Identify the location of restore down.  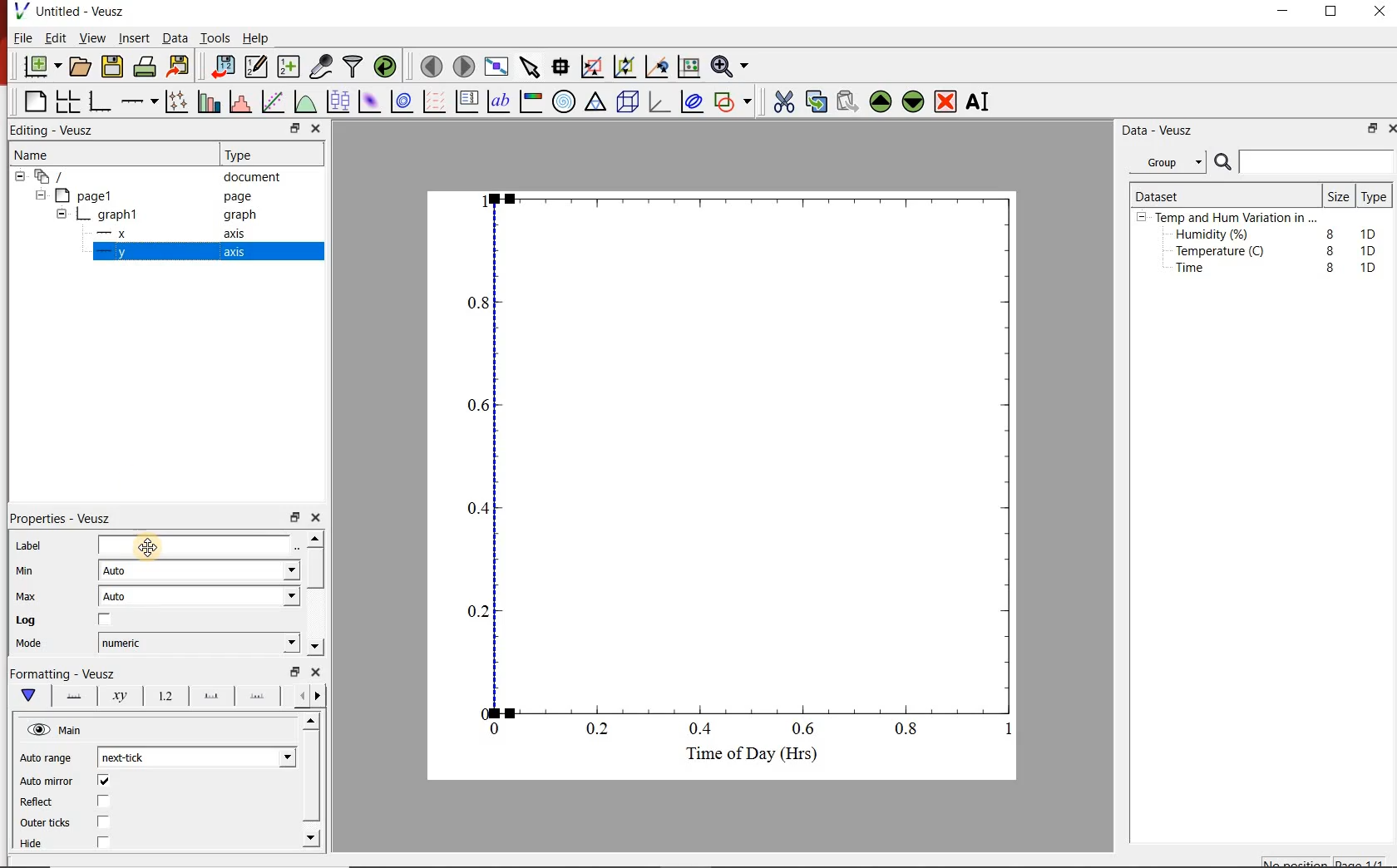
(292, 672).